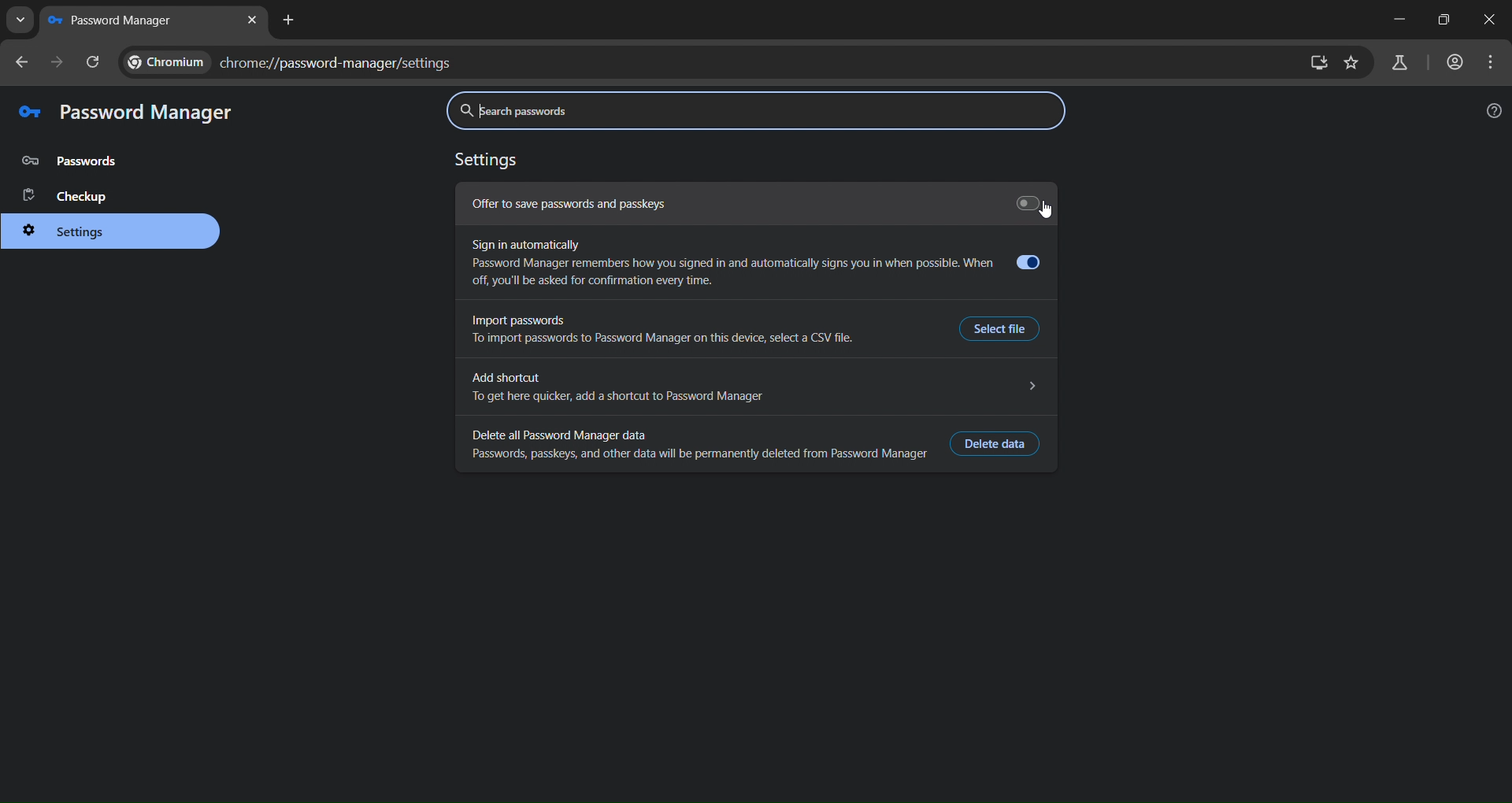 The image size is (1512, 803). What do you see at coordinates (94, 61) in the screenshot?
I see `reload page` at bounding box center [94, 61].